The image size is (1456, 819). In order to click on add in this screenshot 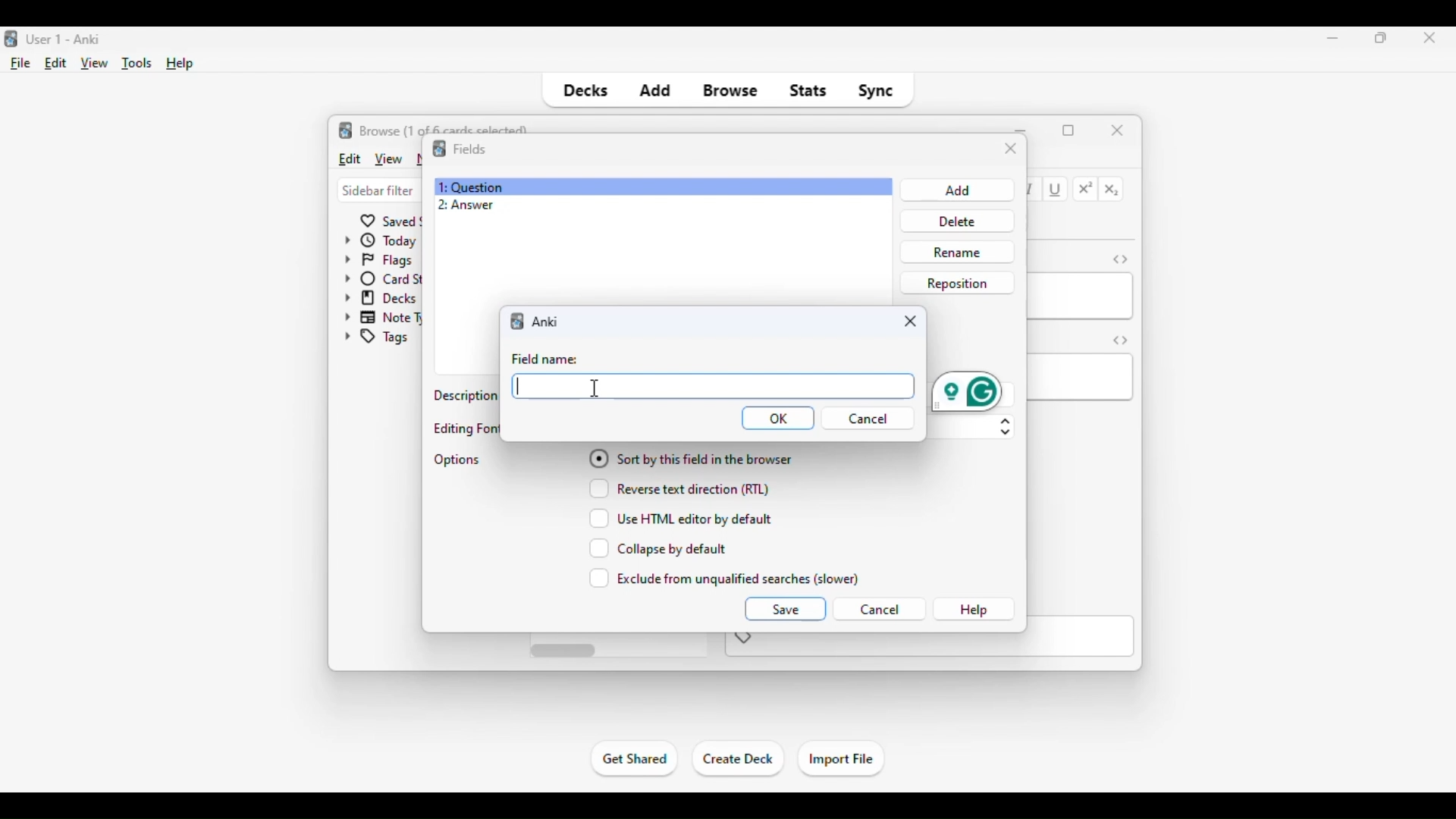, I will do `click(654, 91)`.